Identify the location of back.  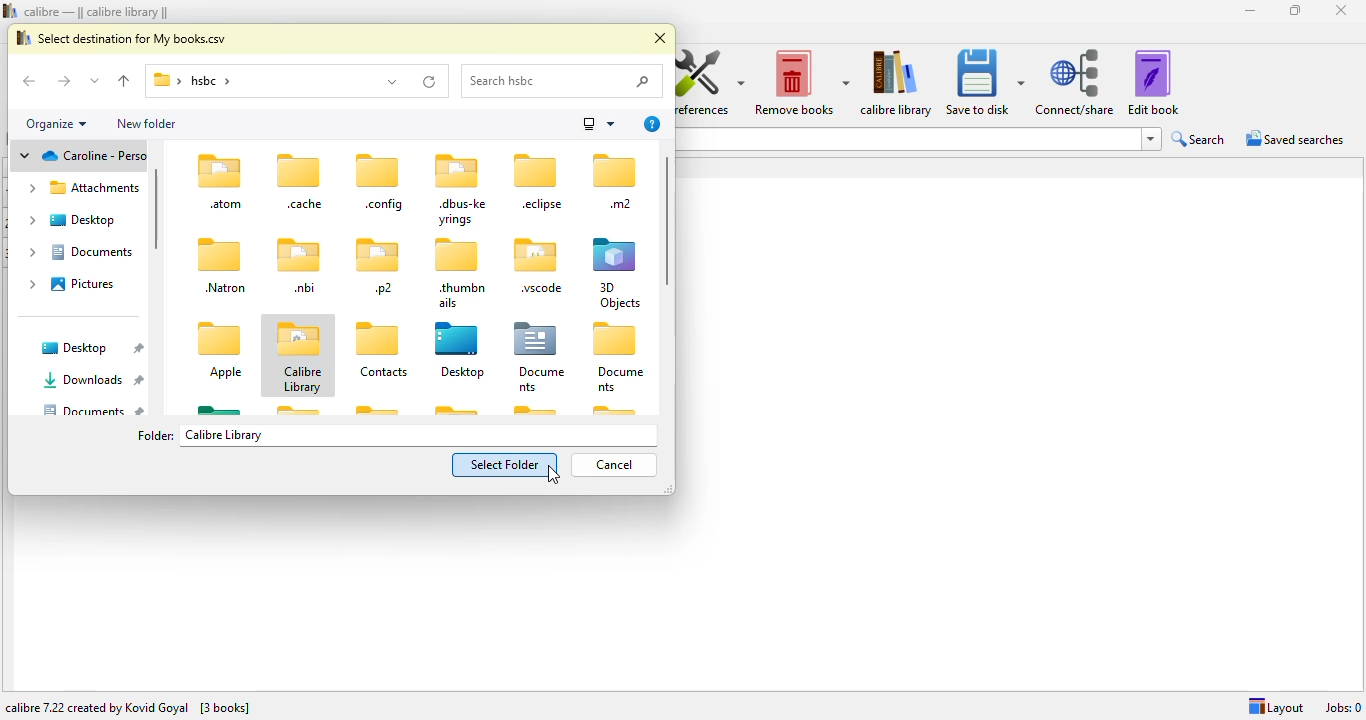
(32, 82).